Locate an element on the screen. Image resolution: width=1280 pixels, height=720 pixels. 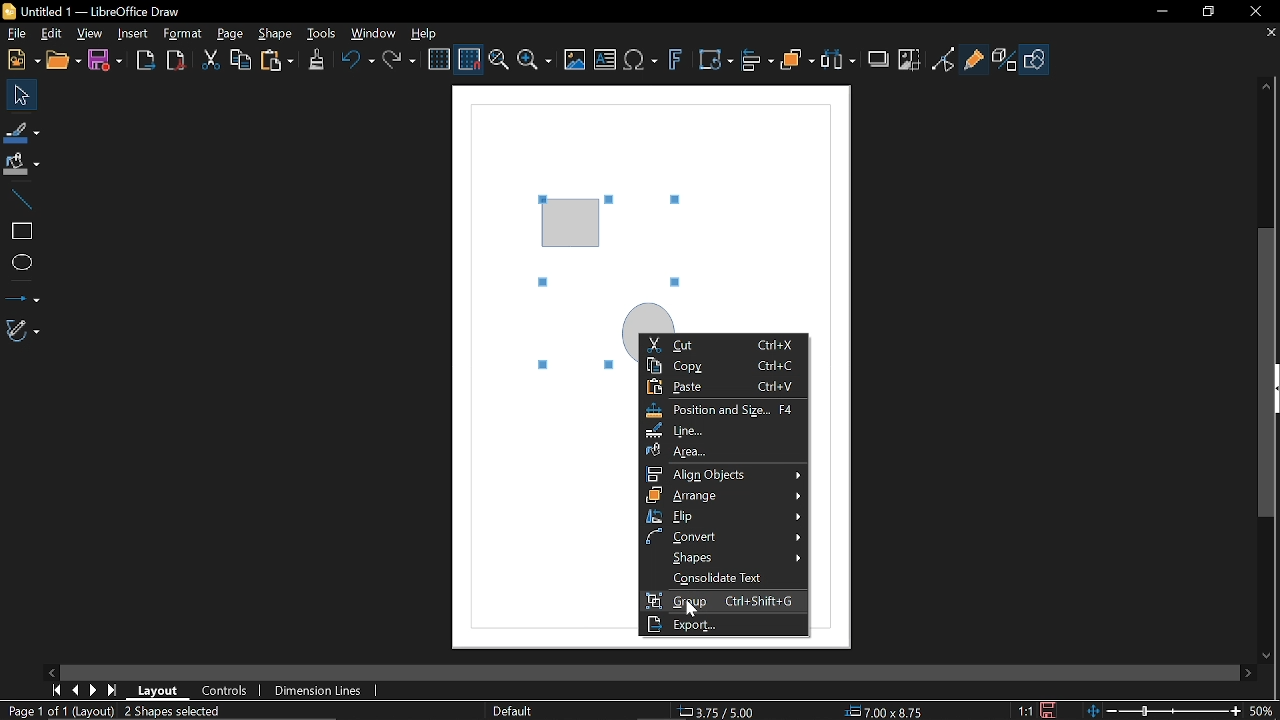
Zoom is located at coordinates (537, 62).